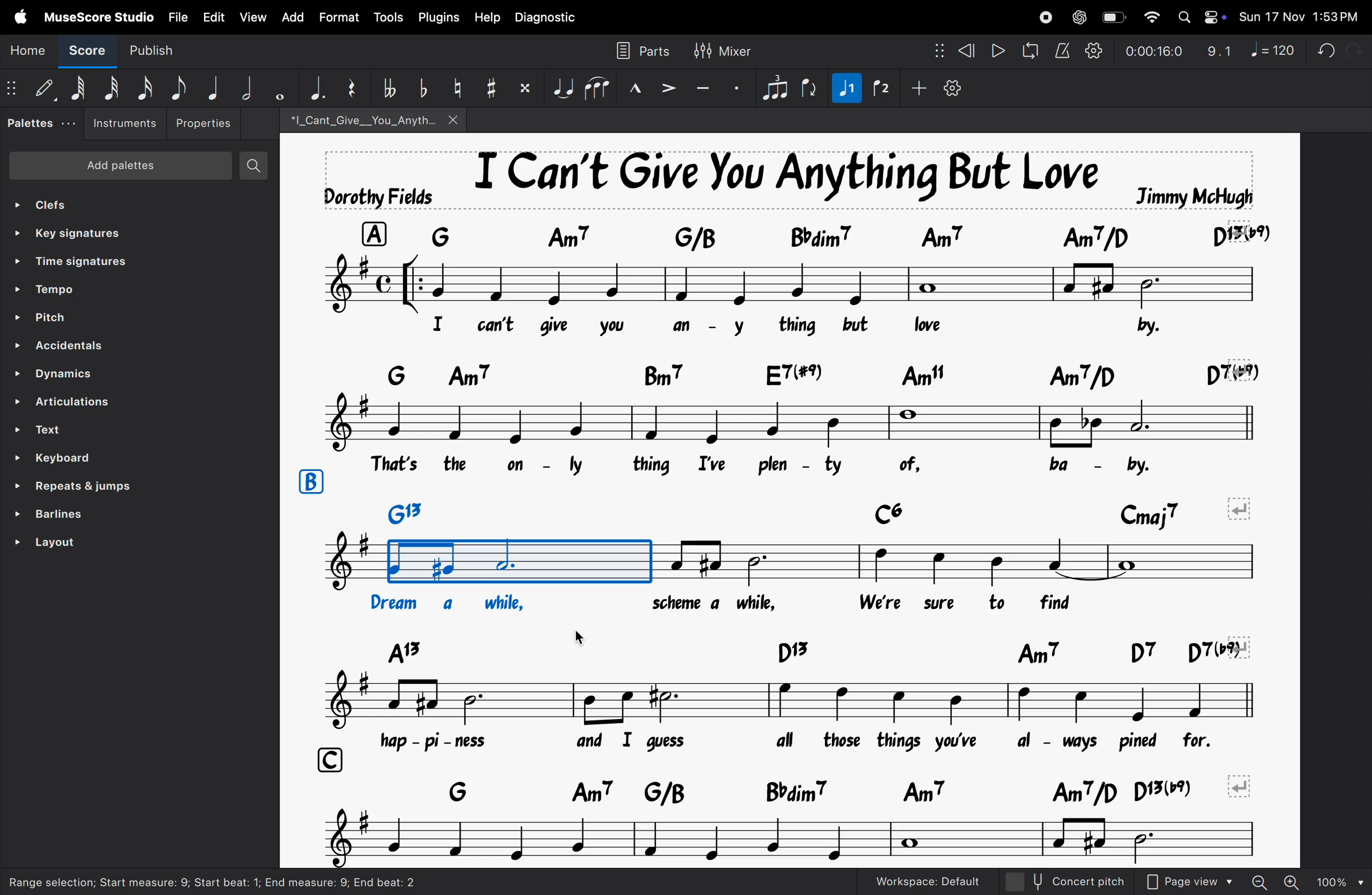 The height and width of the screenshot is (895, 1372). What do you see at coordinates (599, 87) in the screenshot?
I see `slur` at bounding box center [599, 87].